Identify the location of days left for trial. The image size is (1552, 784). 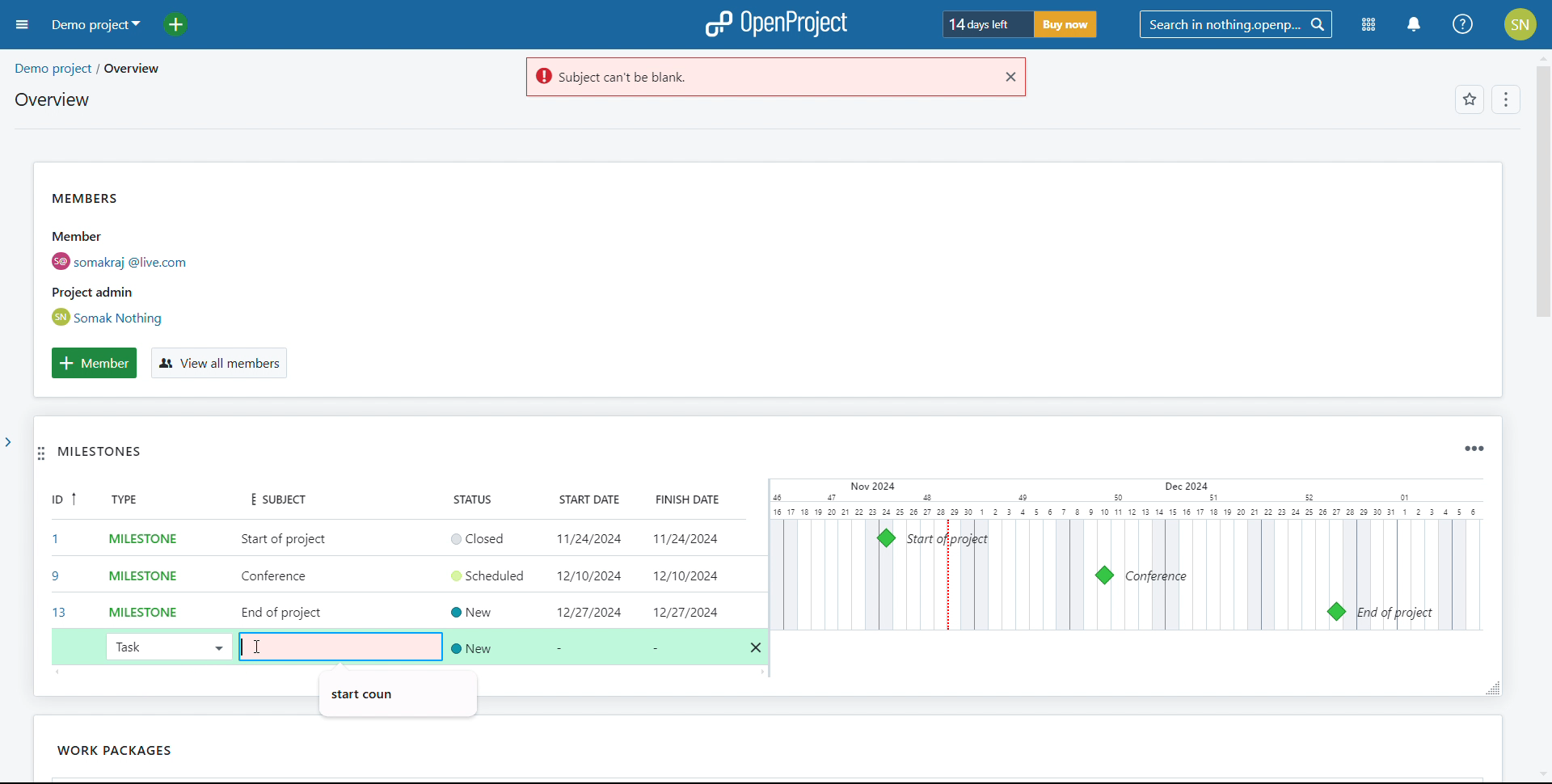
(985, 25).